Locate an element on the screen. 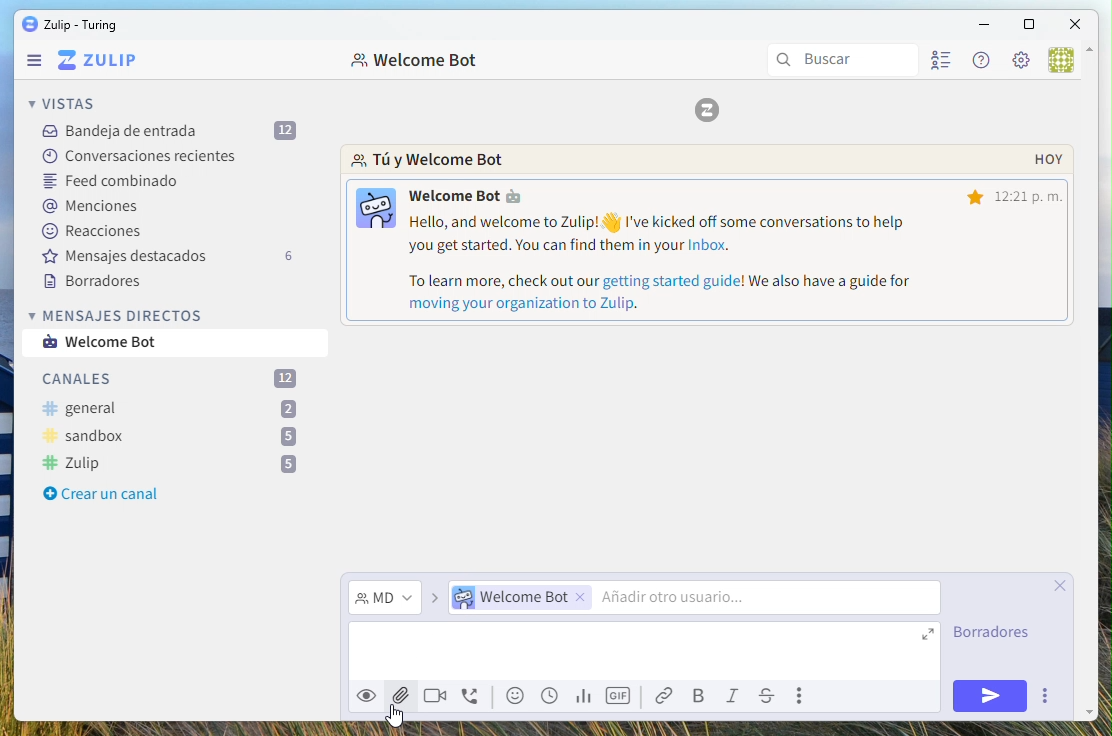 The width and height of the screenshot is (1112, 736). User is located at coordinates (1060, 61).